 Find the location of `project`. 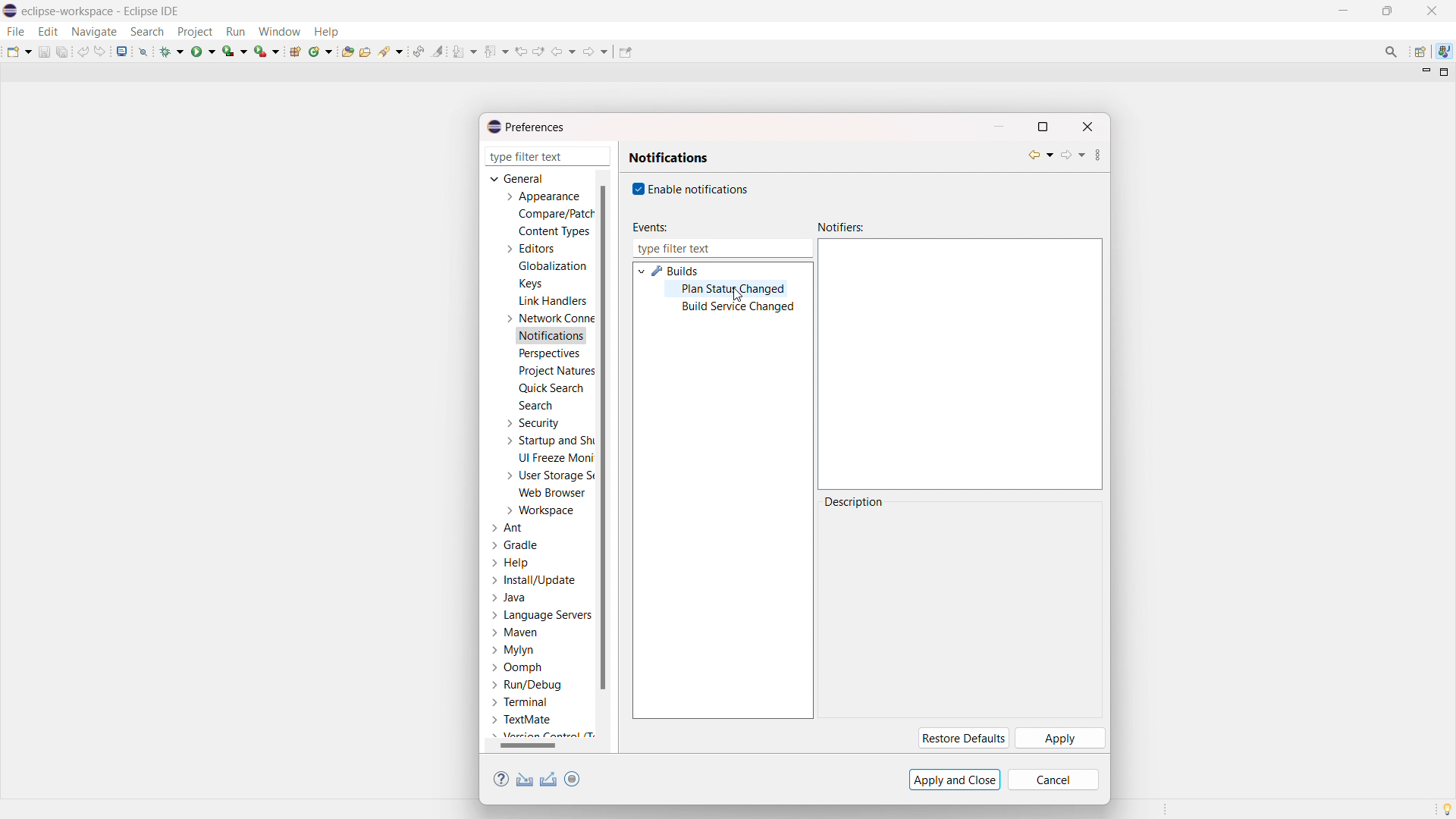

project is located at coordinates (194, 32).